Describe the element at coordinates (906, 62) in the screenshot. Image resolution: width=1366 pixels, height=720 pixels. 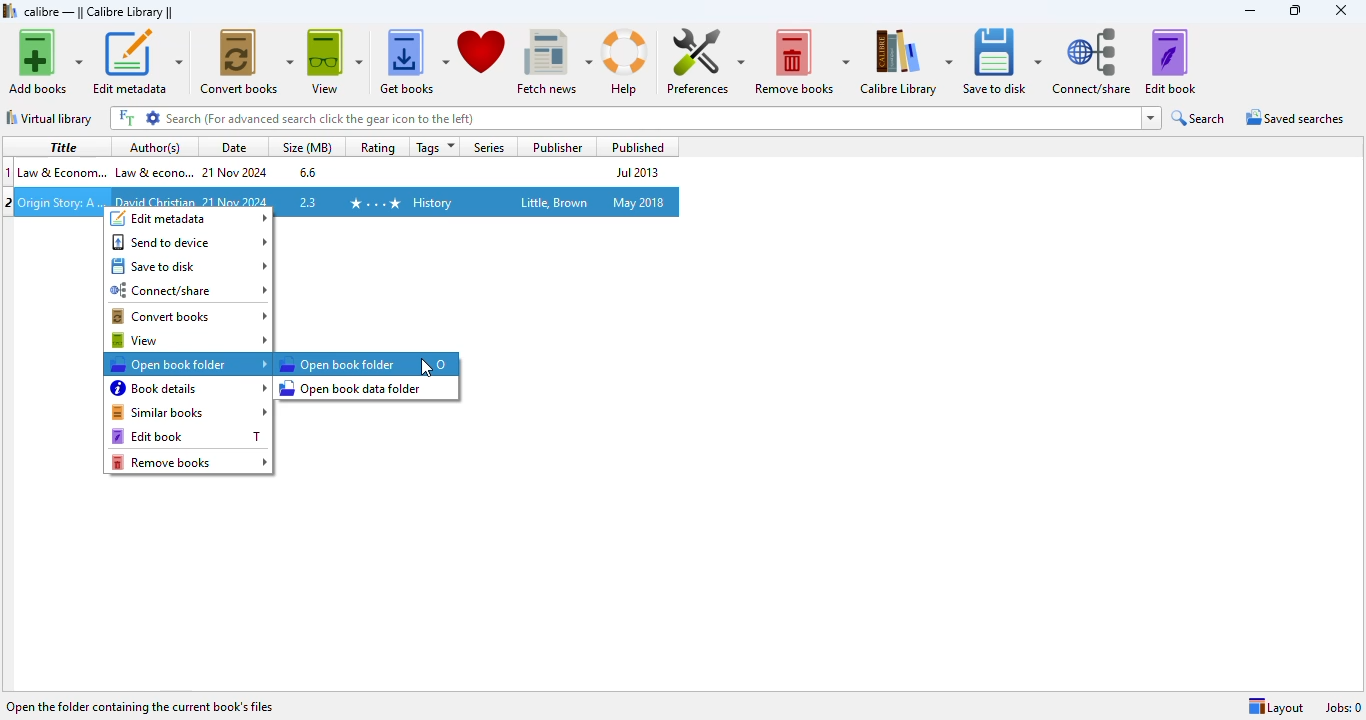
I see `calibre library` at that location.